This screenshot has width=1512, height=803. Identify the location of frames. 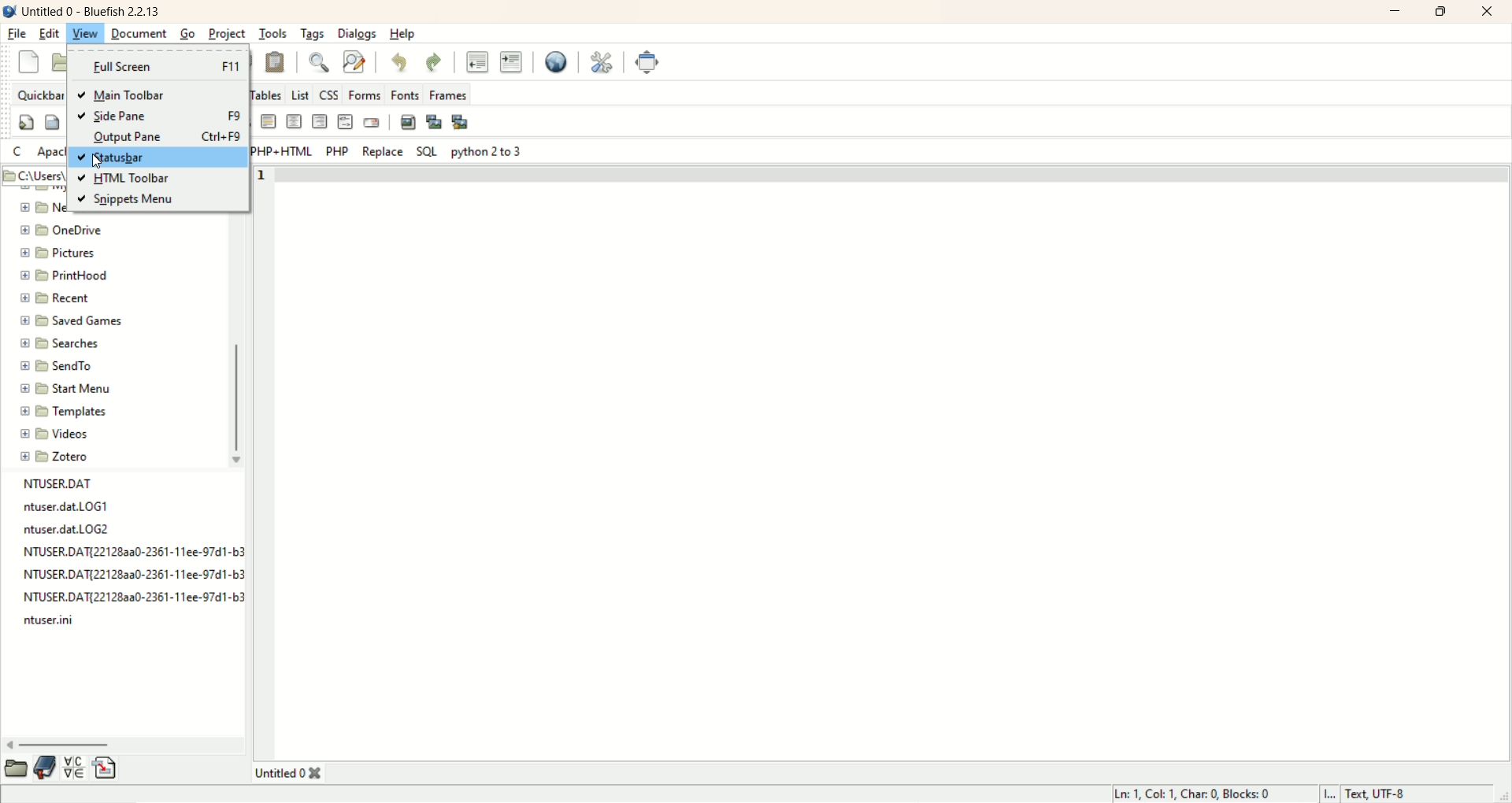
(449, 94).